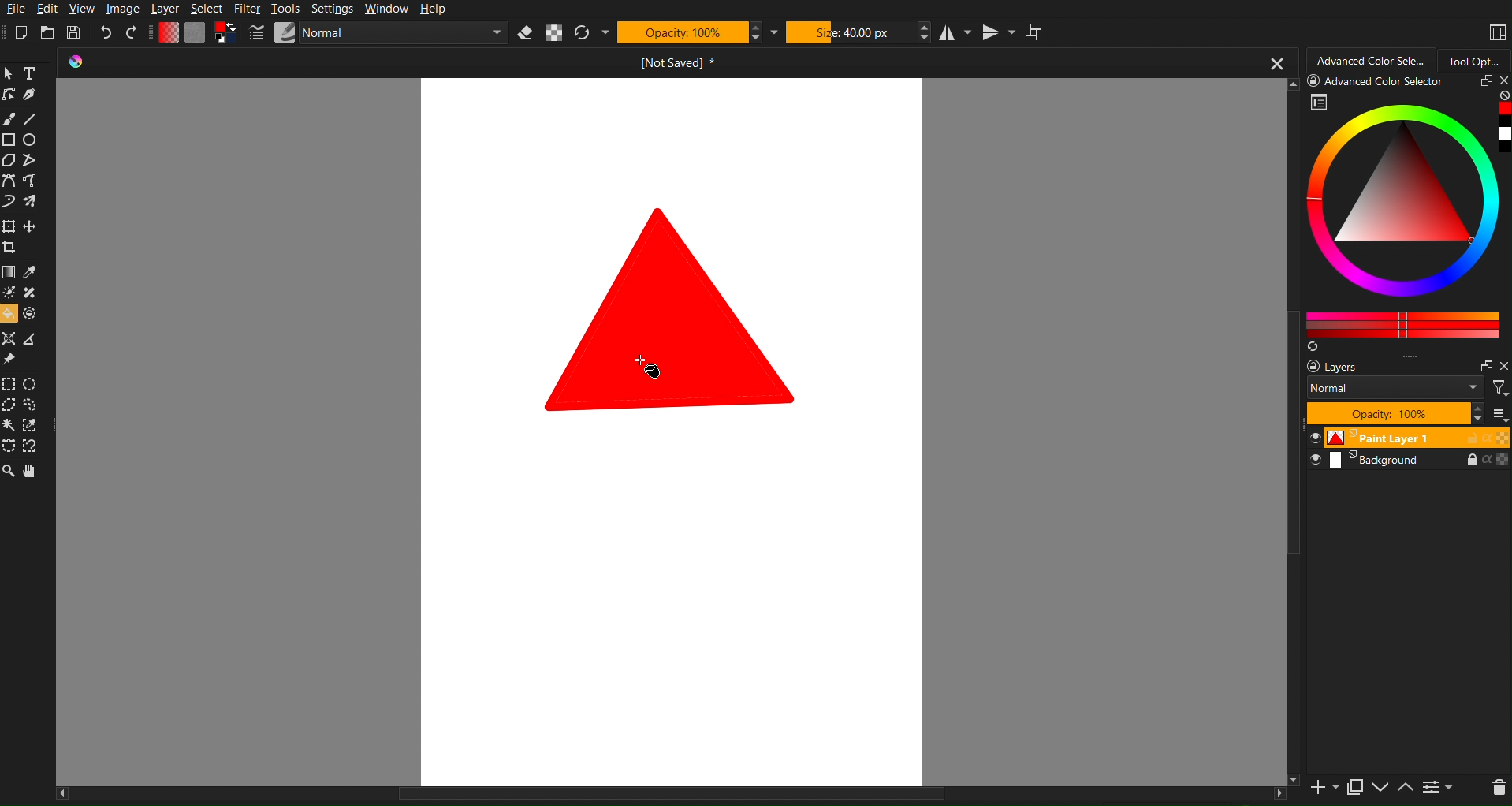 The image size is (1512, 806). Describe the element at coordinates (32, 314) in the screenshot. I see `enclose and fill tool` at that location.